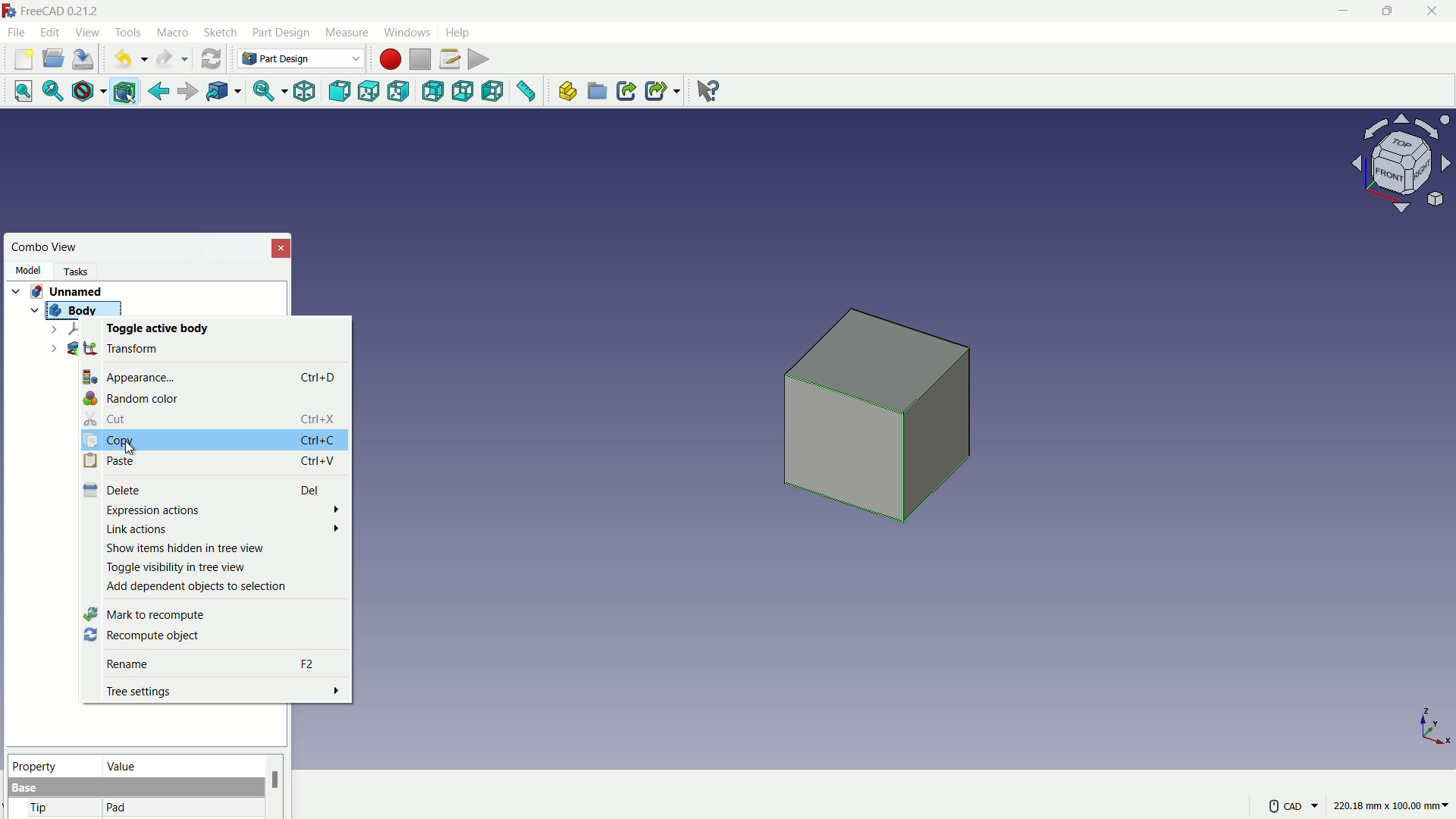 The width and height of the screenshot is (1456, 819). What do you see at coordinates (1433, 11) in the screenshot?
I see `close app` at bounding box center [1433, 11].